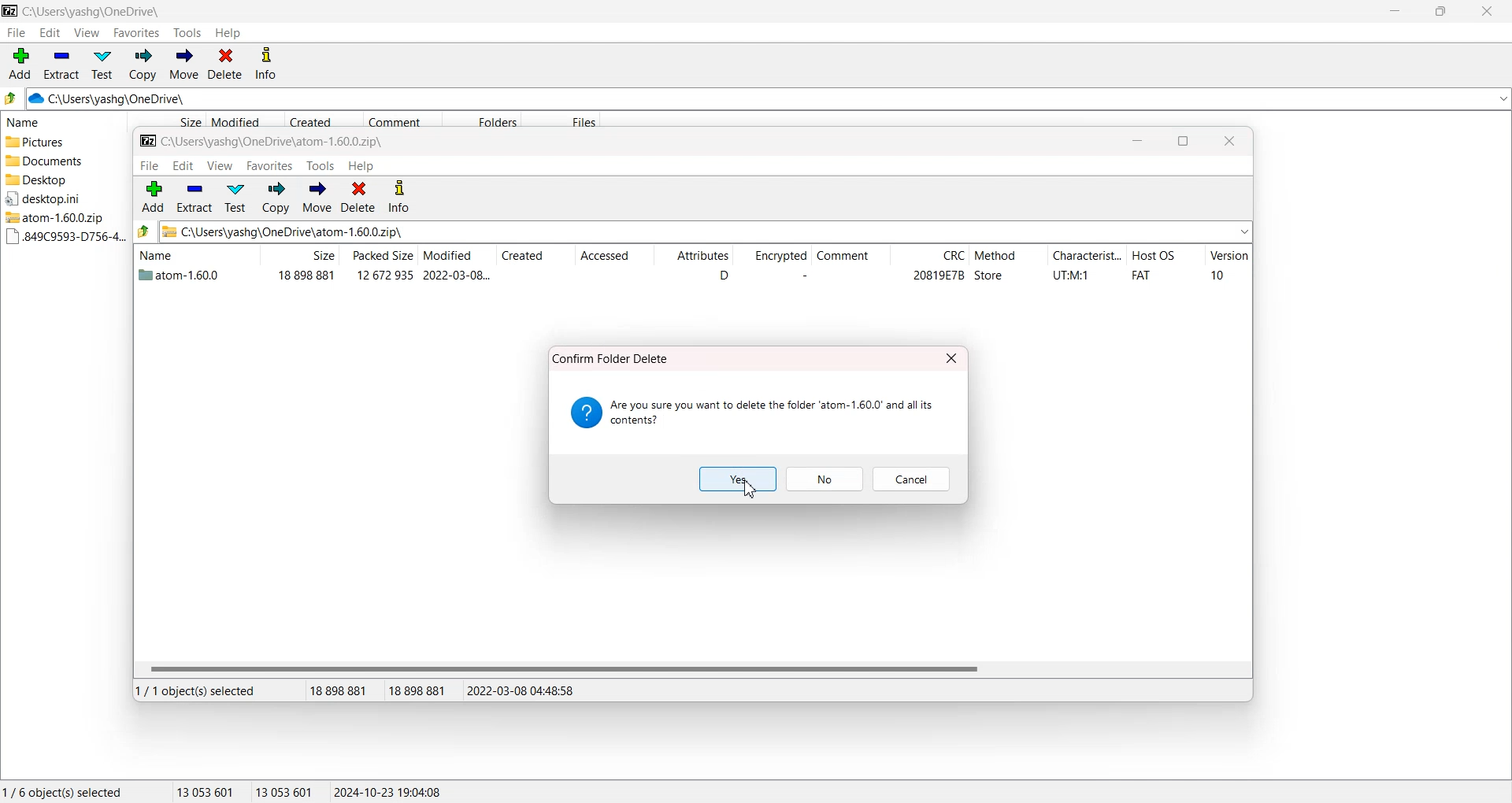 The height and width of the screenshot is (803, 1512). Describe the element at coordinates (324, 120) in the screenshot. I see `Created Date` at that location.